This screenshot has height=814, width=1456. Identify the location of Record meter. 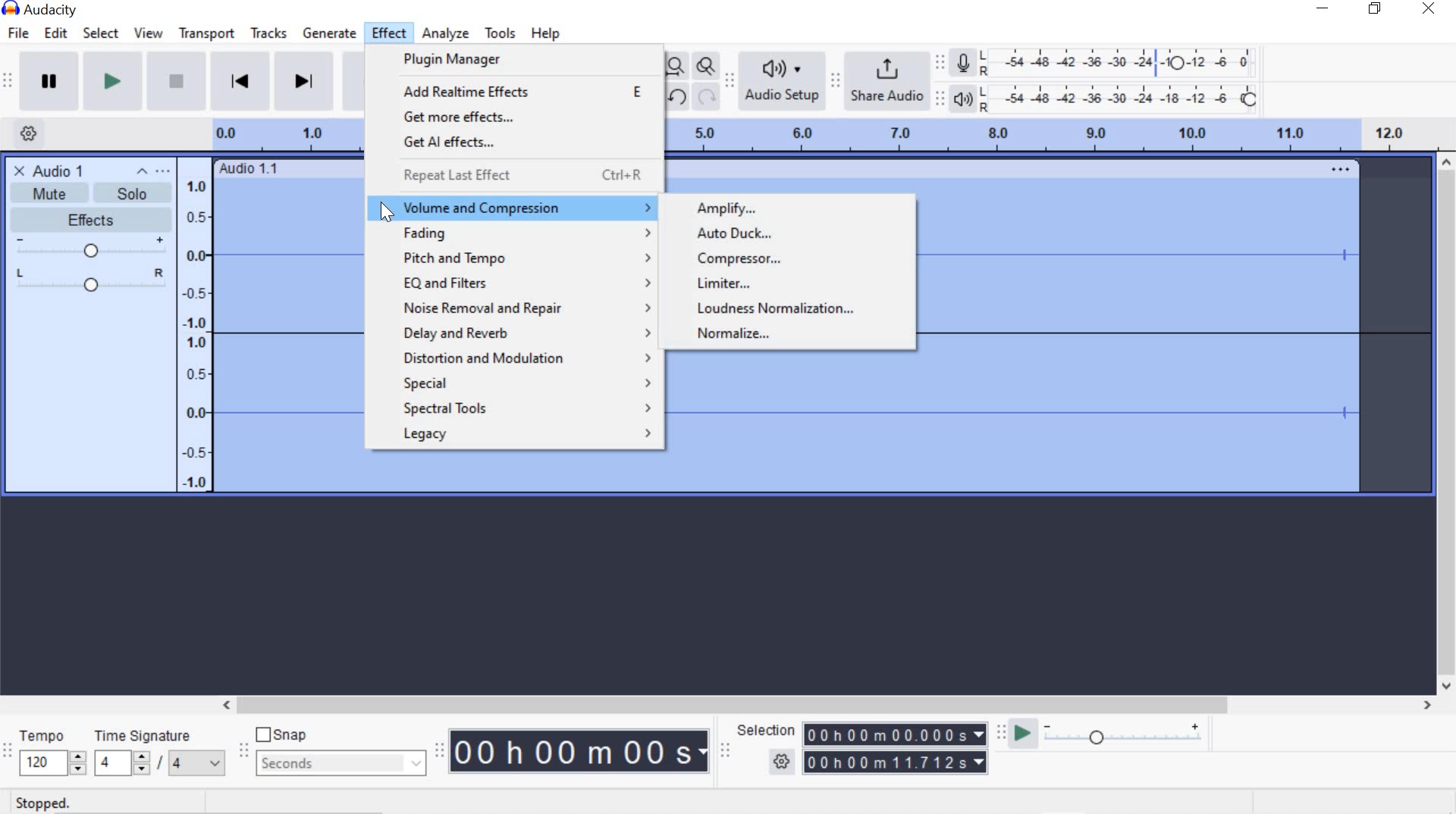
(963, 61).